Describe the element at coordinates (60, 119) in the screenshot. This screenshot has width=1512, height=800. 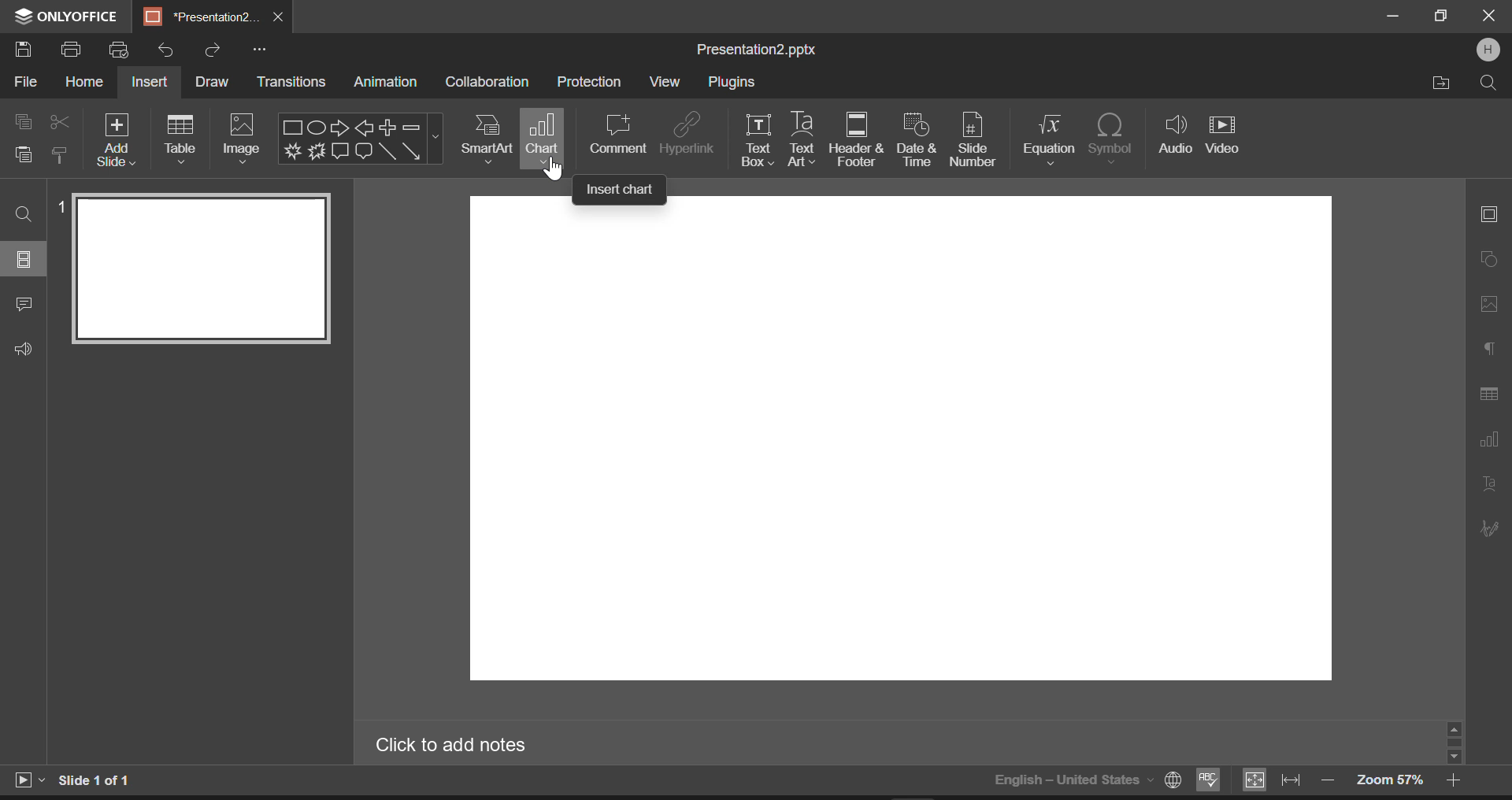
I see `Cut` at that location.